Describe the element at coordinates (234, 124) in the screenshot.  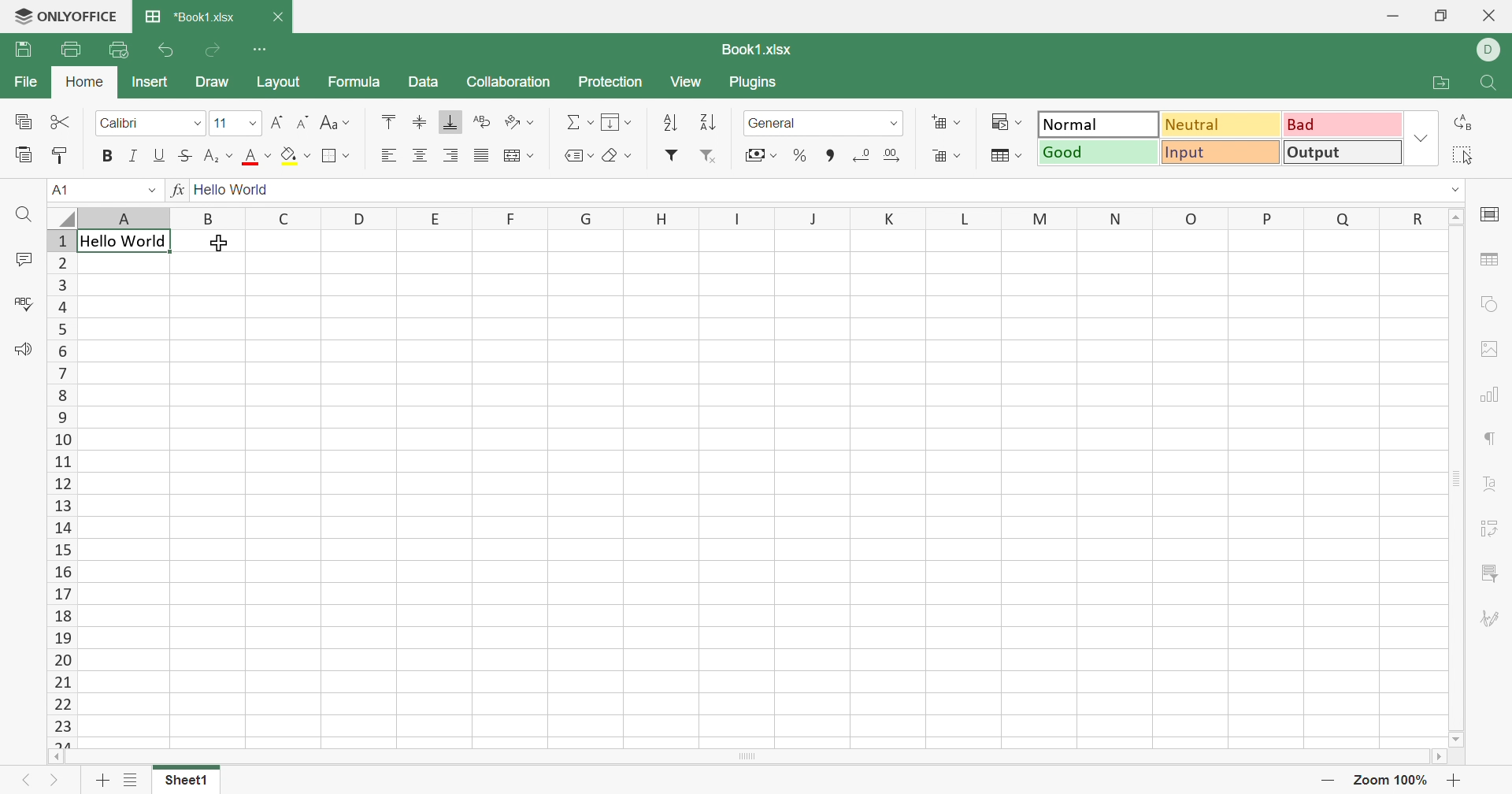
I see `Font size` at that location.